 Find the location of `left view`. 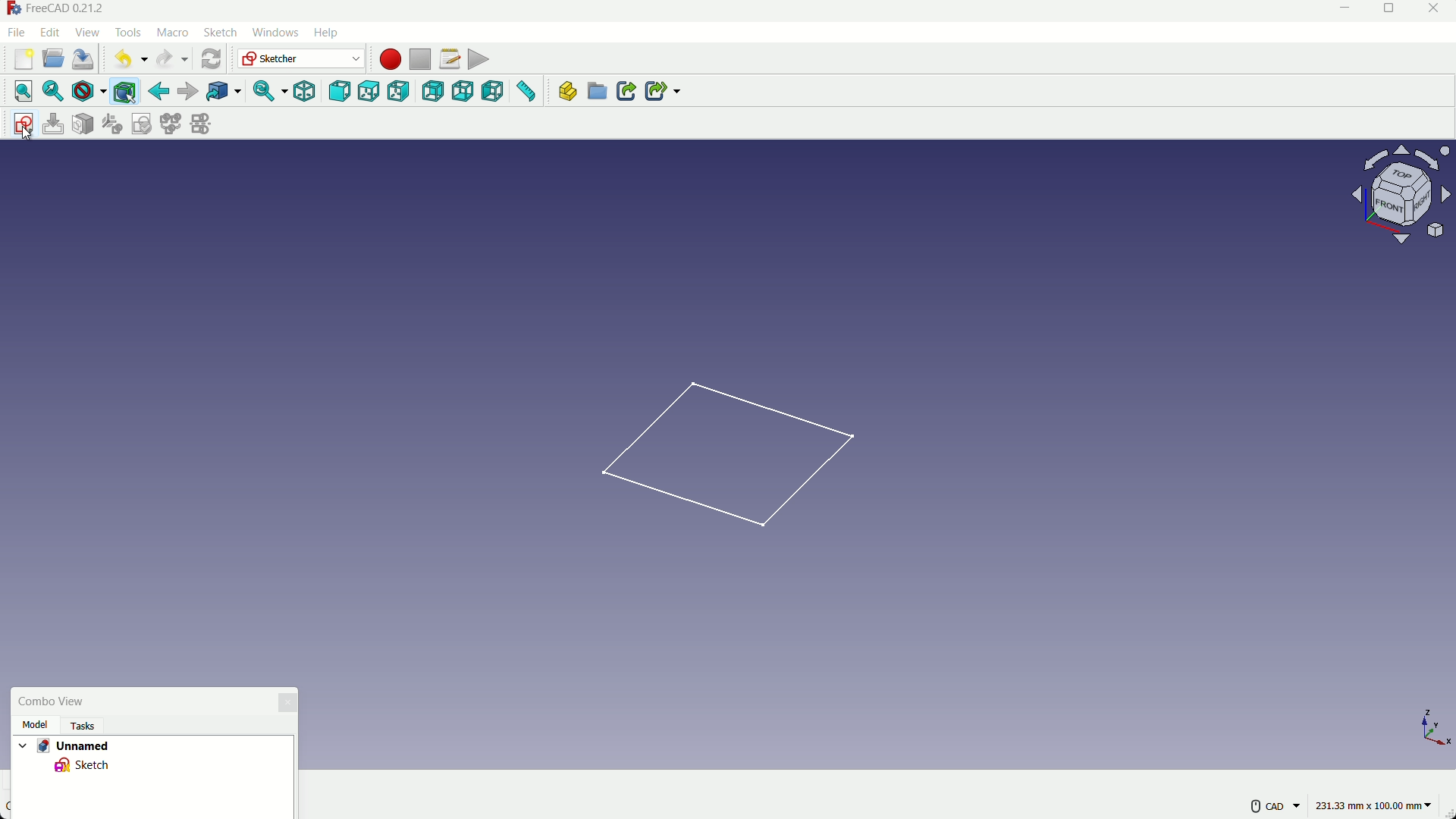

left view is located at coordinates (490, 90).